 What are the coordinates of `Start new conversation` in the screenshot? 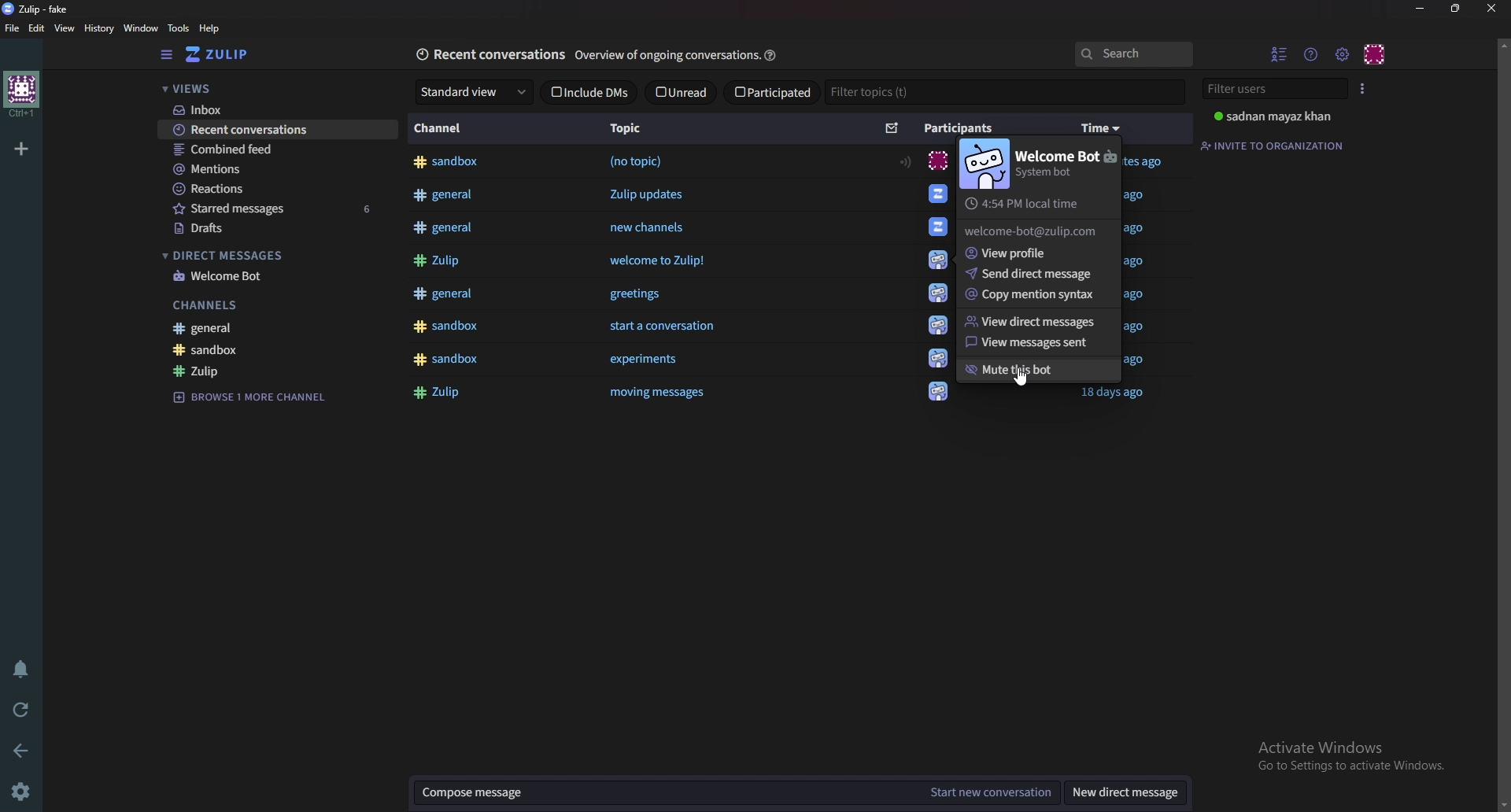 It's located at (997, 791).